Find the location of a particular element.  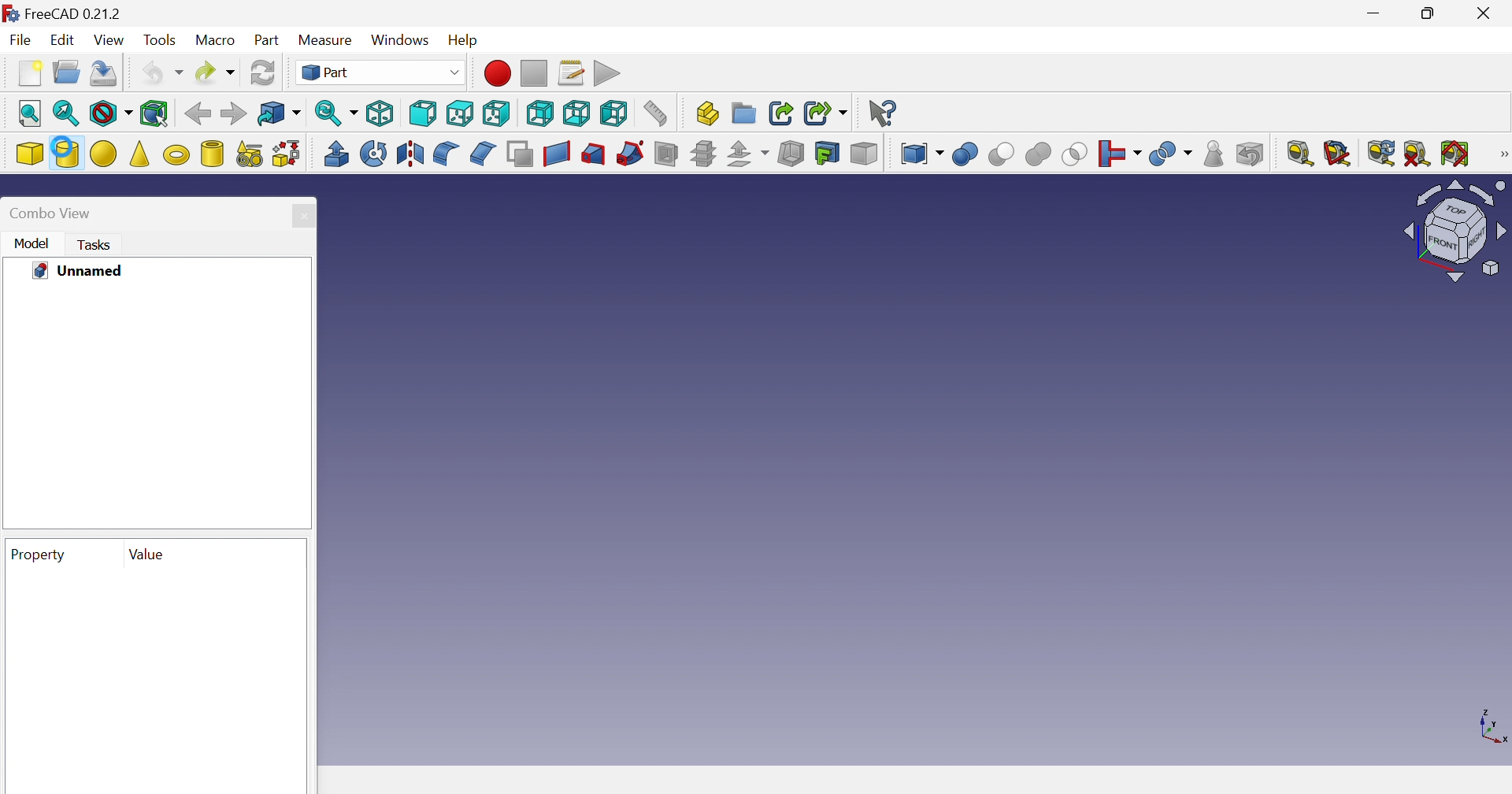

Cut is located at coordinates (999, 154).